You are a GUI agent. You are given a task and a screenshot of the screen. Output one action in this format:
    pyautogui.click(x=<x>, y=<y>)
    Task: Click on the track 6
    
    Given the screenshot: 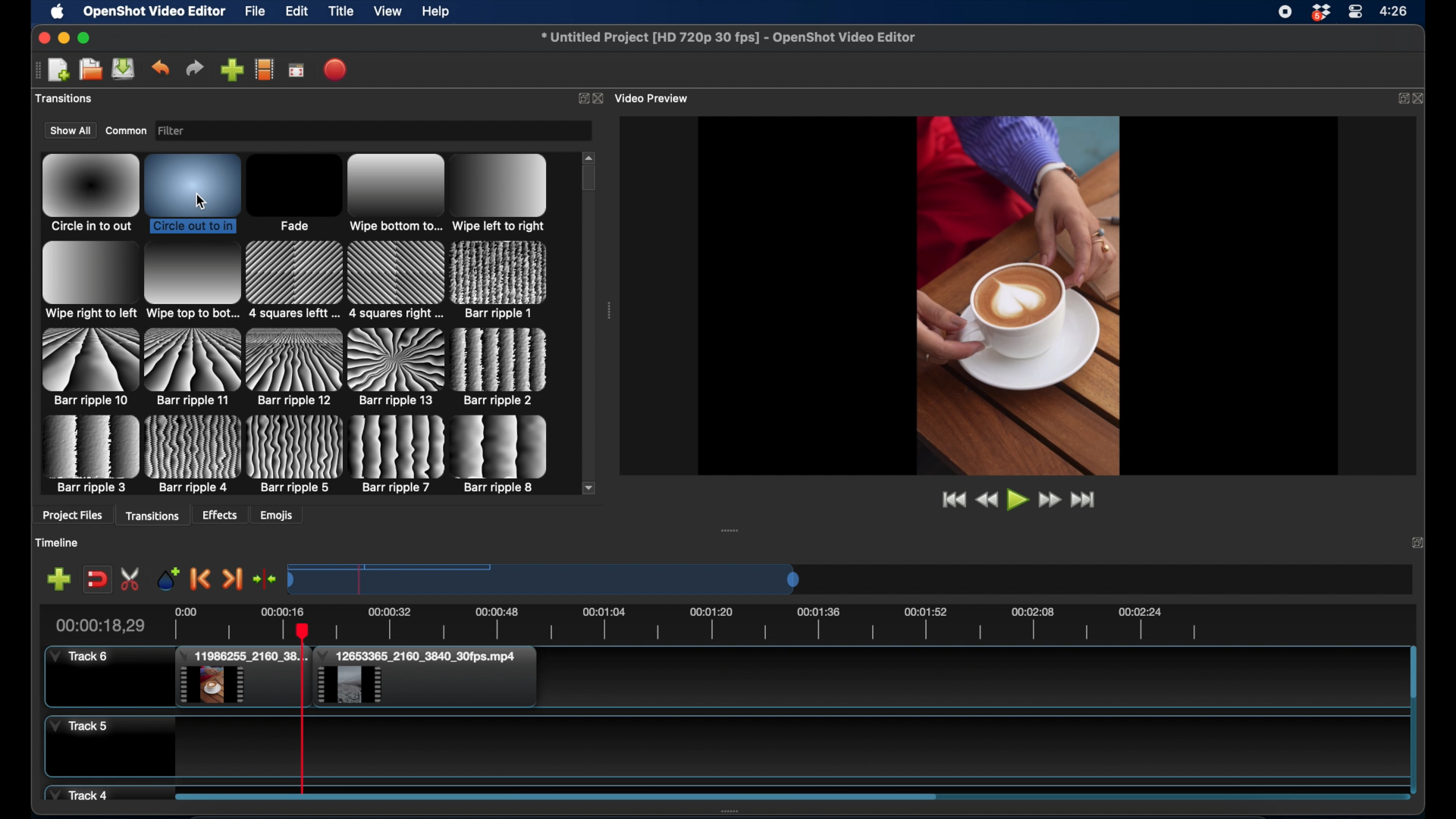 What is the action you would take?
    pyautogui.click(x=80, y=657)
    